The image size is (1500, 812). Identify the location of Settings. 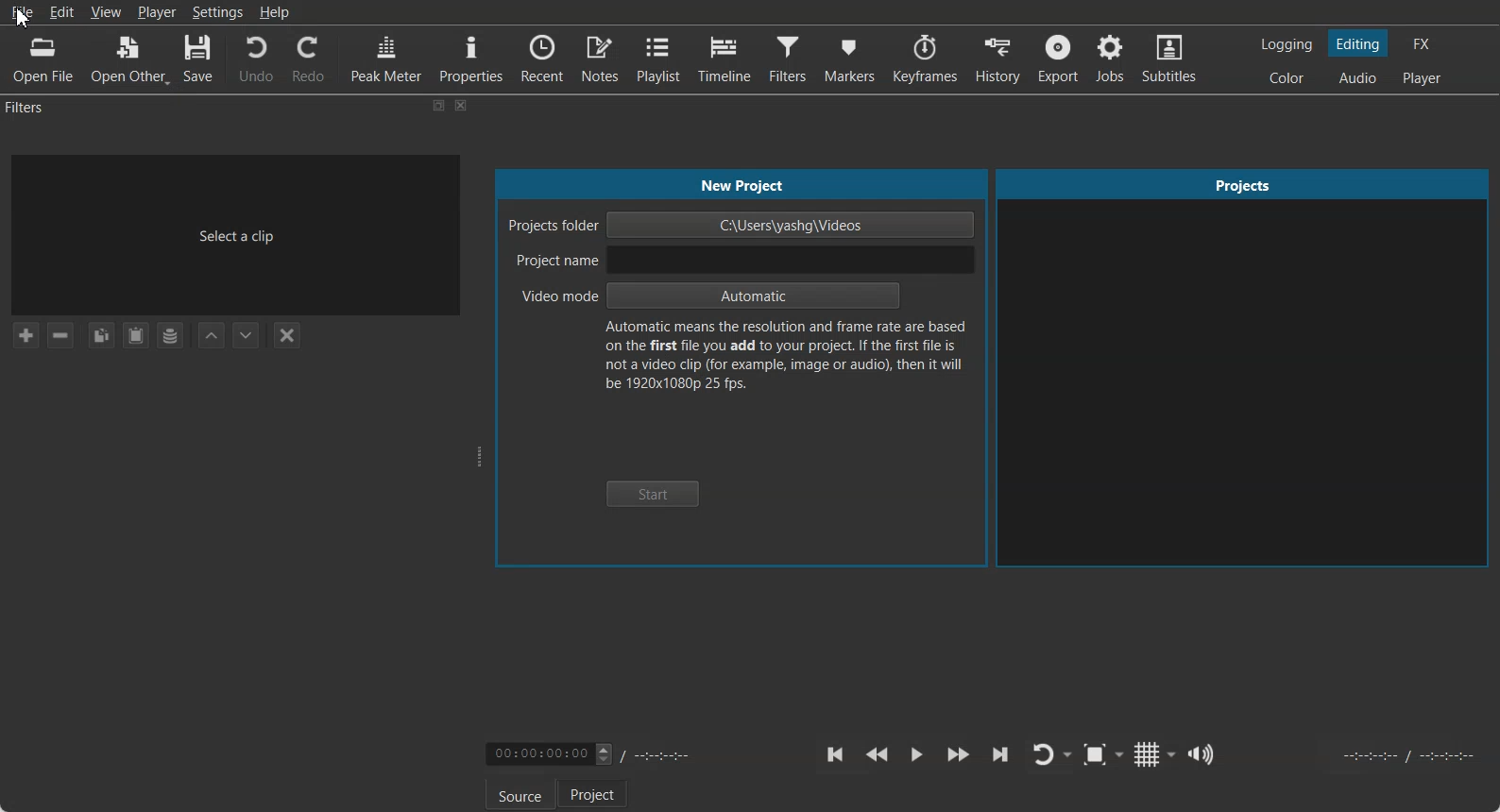
(218, 12).